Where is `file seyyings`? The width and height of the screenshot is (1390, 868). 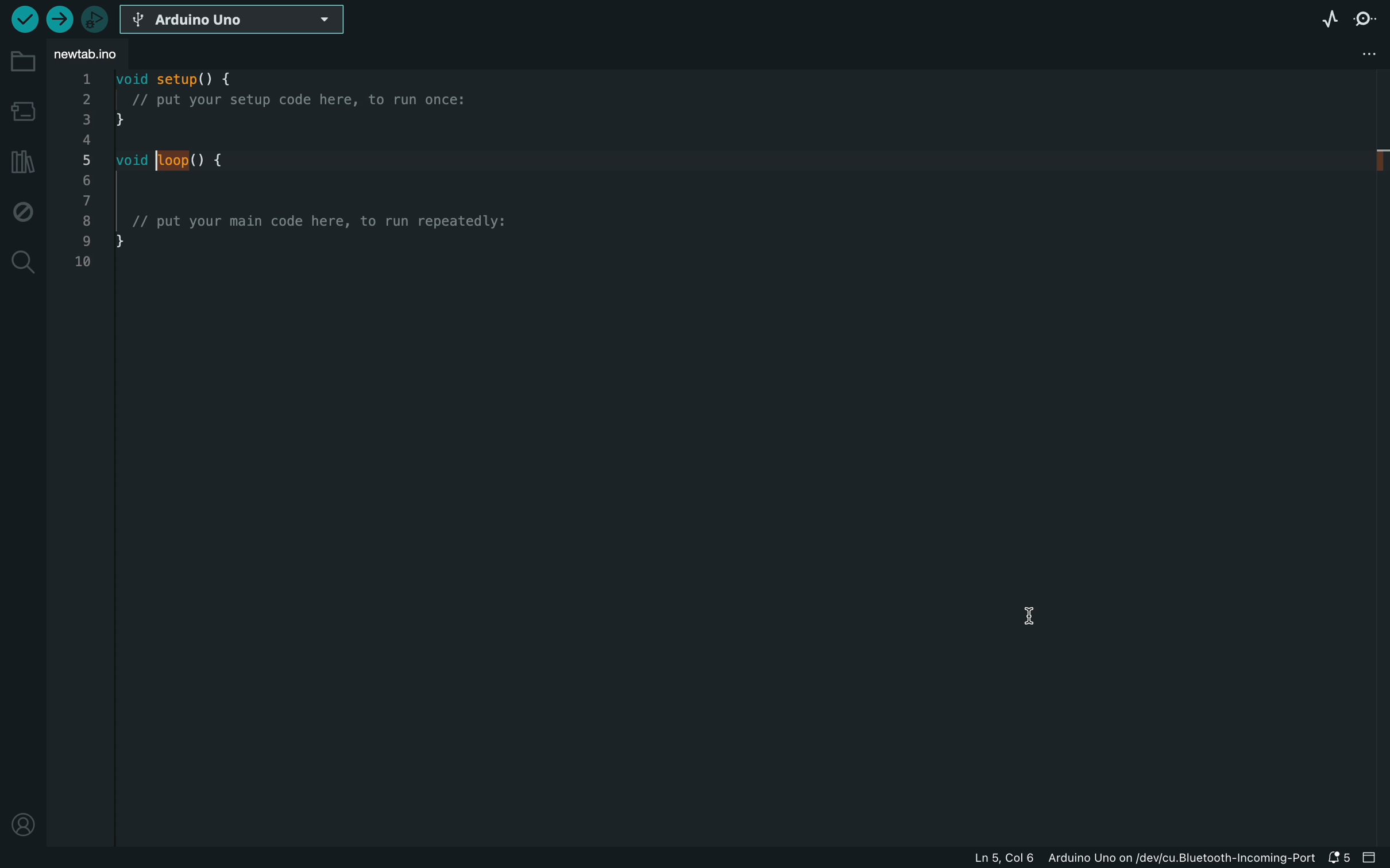 file seyyings is located at coordinates (1370, 52).